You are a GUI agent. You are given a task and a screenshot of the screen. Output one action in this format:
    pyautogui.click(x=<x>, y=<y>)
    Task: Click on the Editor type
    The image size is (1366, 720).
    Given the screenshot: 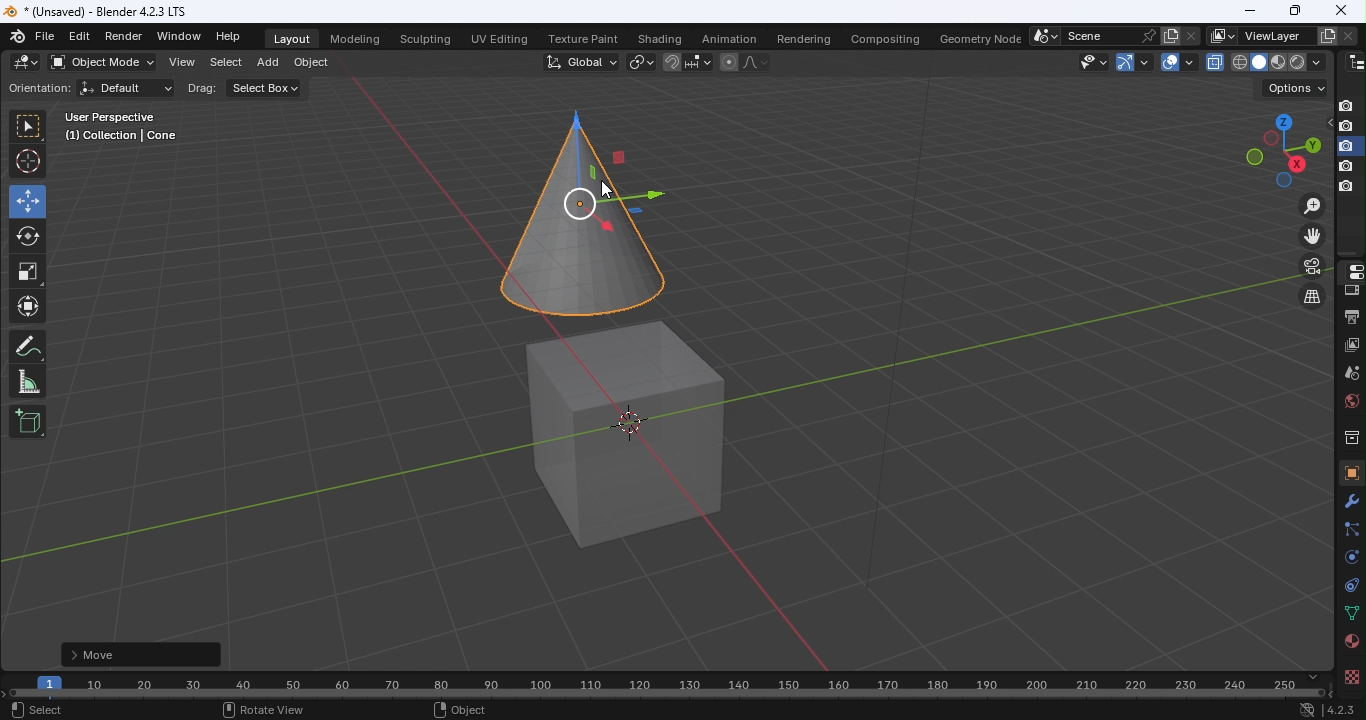 What is the action you would take?
    pyautogui.click(x=1356, y=60)
    